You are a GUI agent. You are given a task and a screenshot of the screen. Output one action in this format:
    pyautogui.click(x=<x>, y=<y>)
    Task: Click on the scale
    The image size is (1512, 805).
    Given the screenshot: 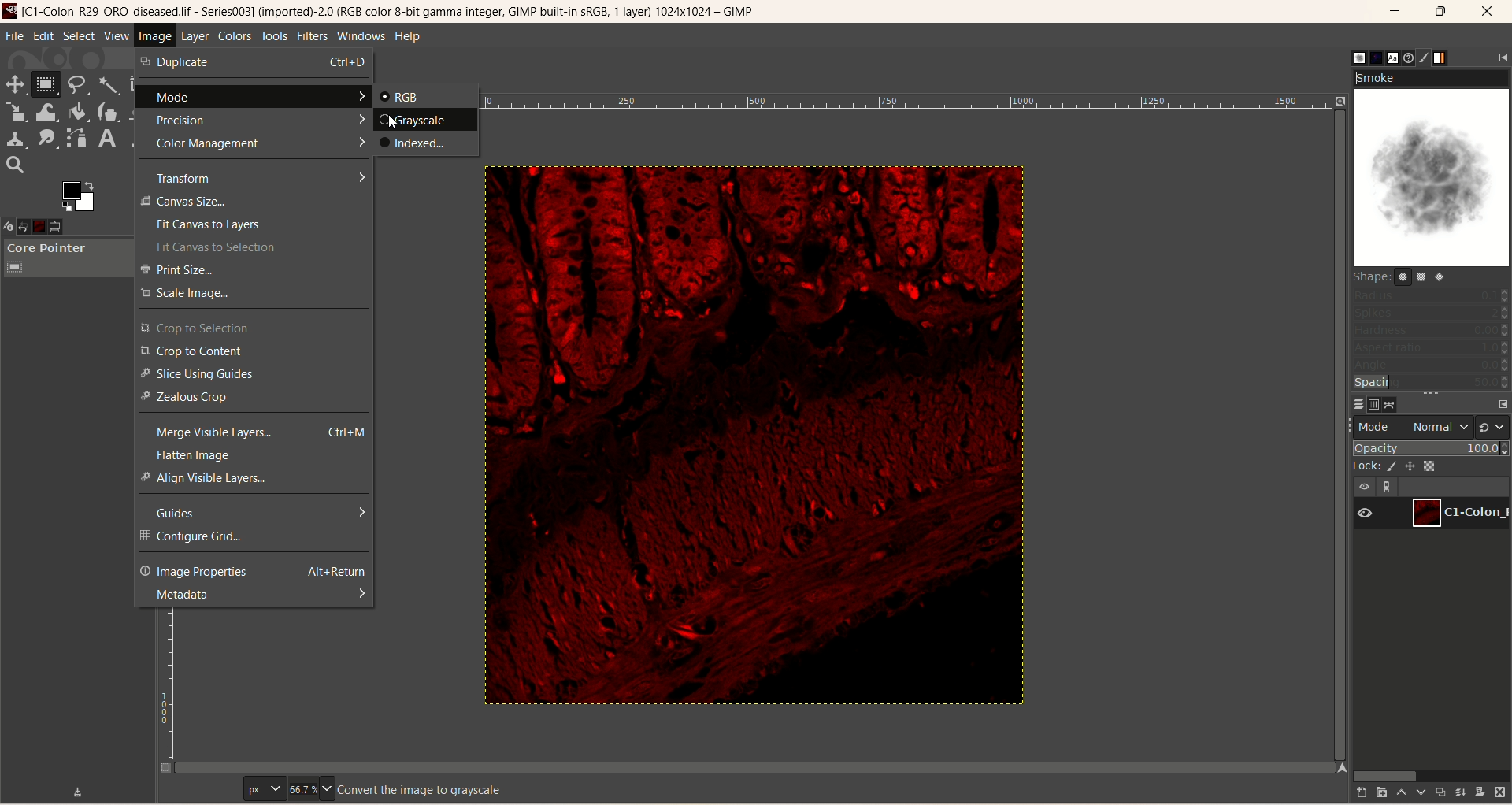 What is the action you would take?
    pyautogui.click(x=17, y=110)
    